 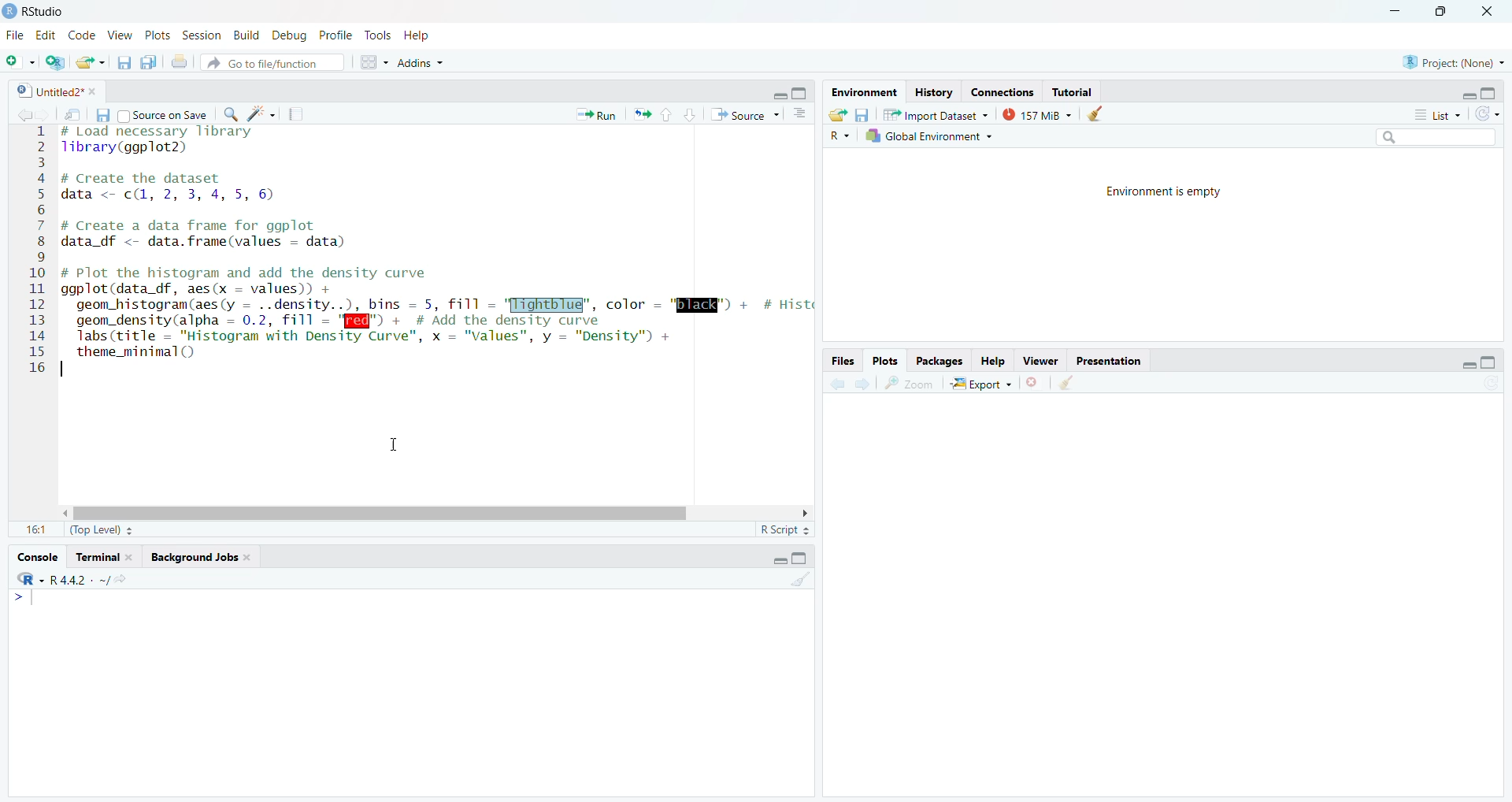 What do you see at coordinates (298, 113) in the screenshot?
I see `compile report` at bounding box center [298, 113].